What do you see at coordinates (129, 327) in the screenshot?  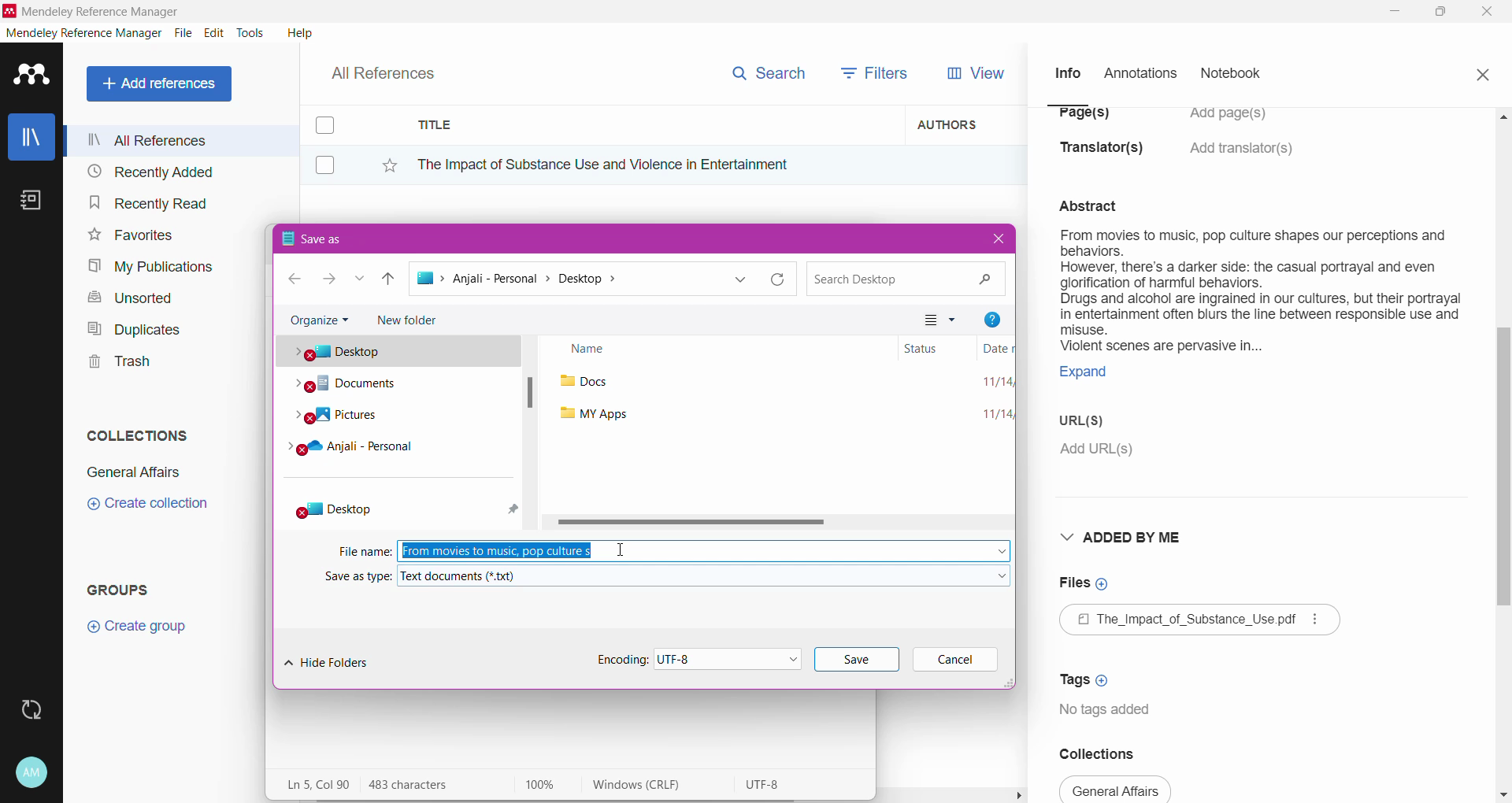 I see `Duplicates` at bounding box center [129, 327].